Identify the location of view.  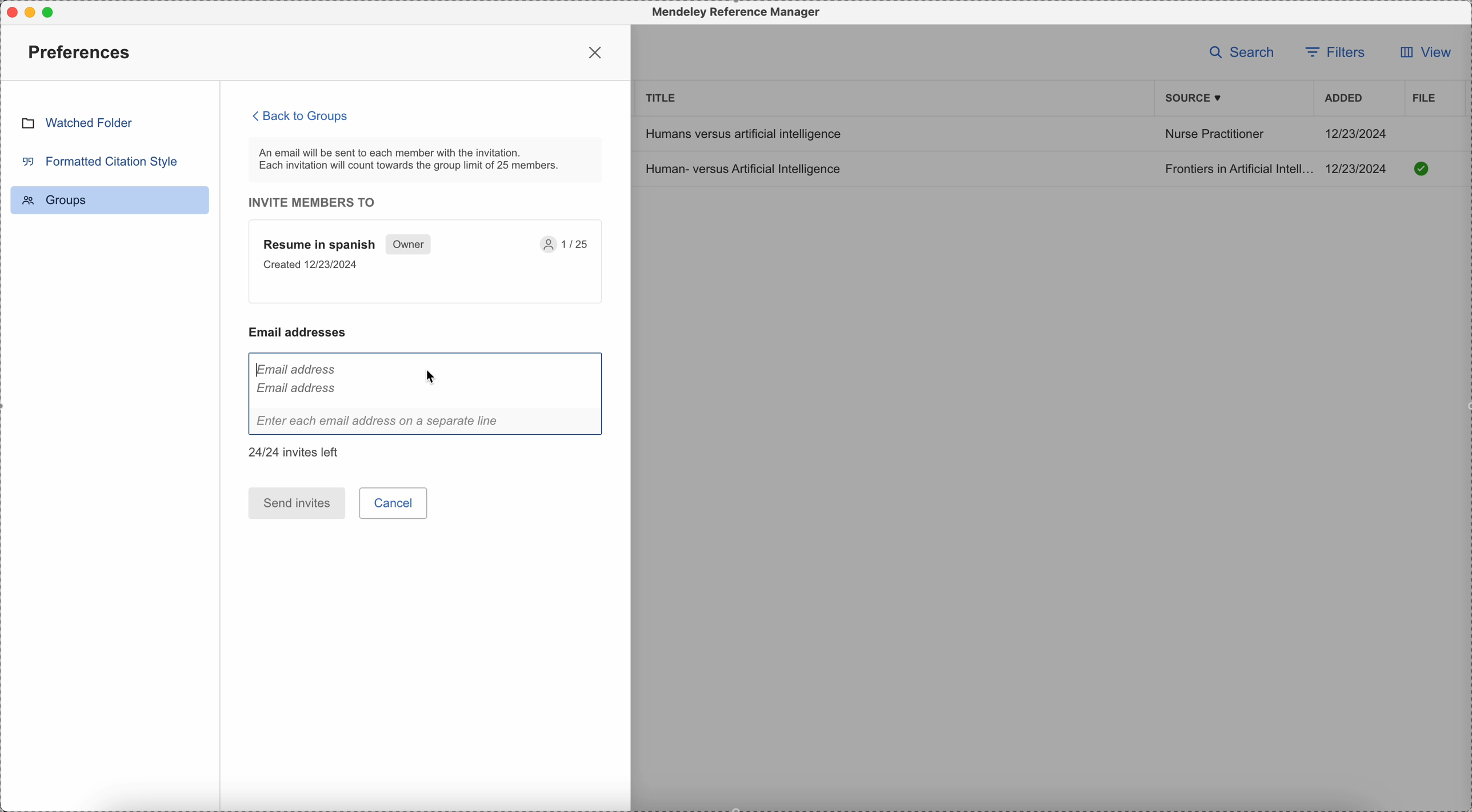
(1421, 55).